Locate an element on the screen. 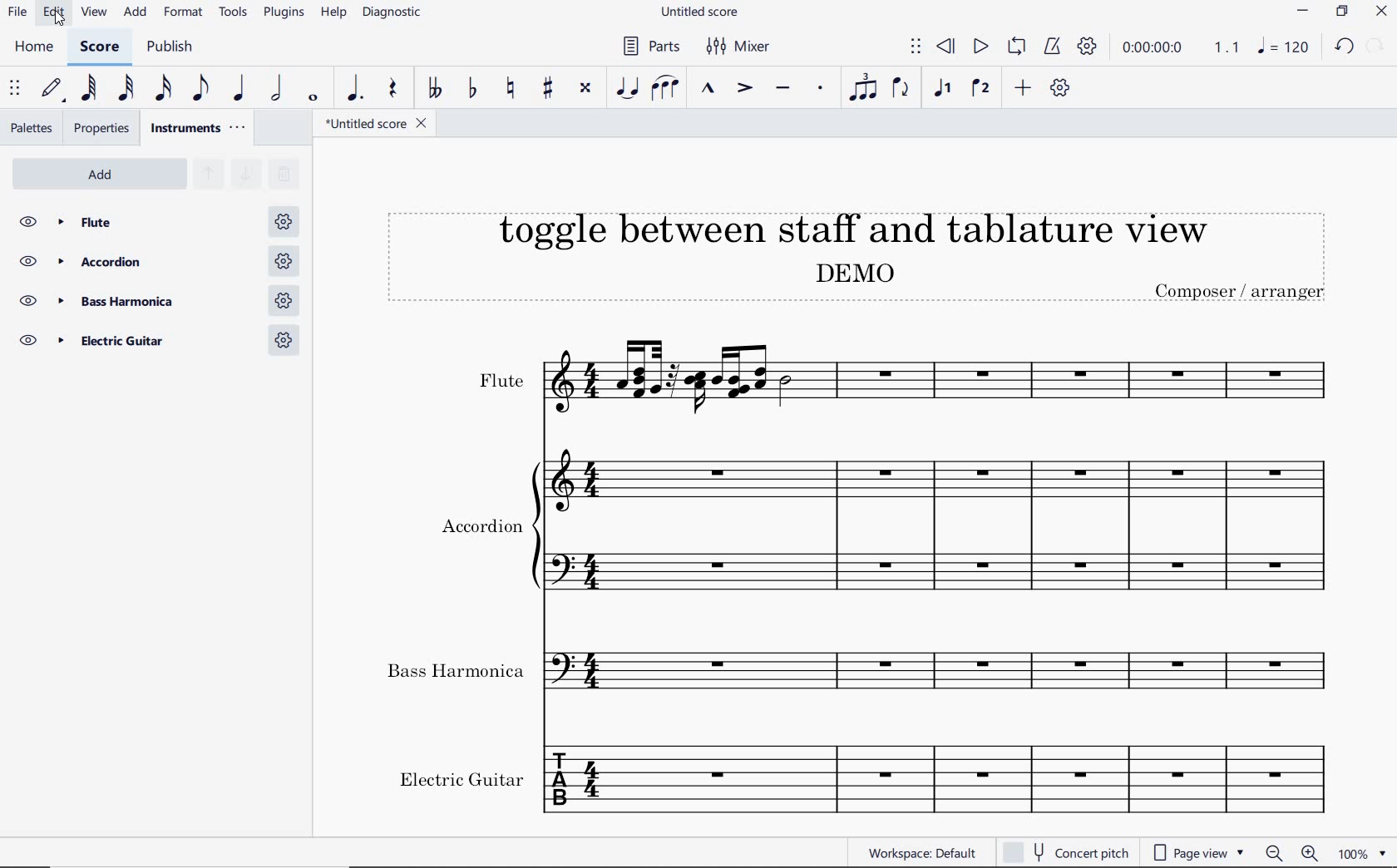 This screenshot has height=868, width=1397. workspace: default is located at coordinates (923, 852).